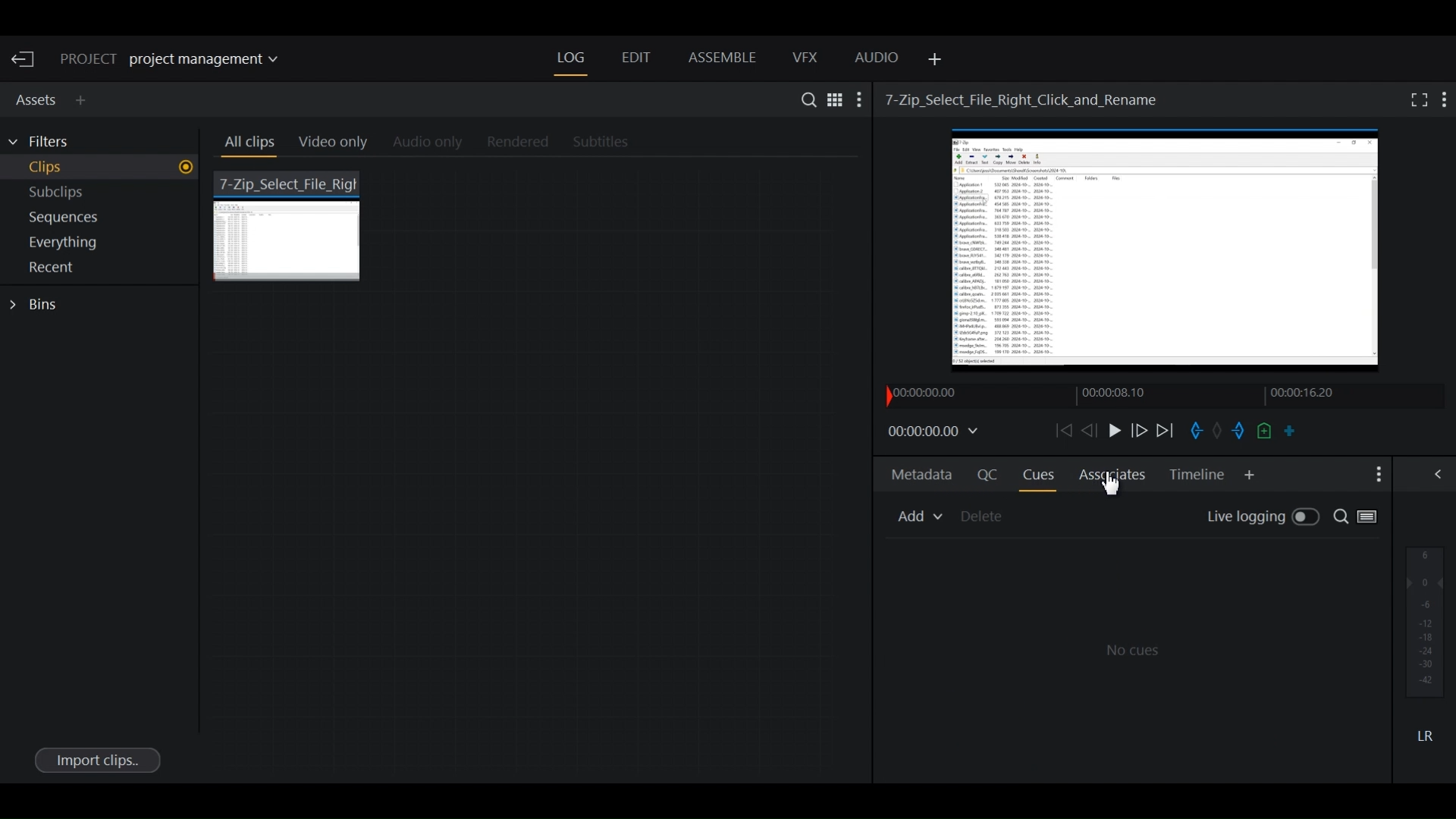 The height and width of the screenshot is (819, 1456). What do you see at coordinates (340, 145) in the screenshot?
I see `Video Only` at bounding box center [340, 145].